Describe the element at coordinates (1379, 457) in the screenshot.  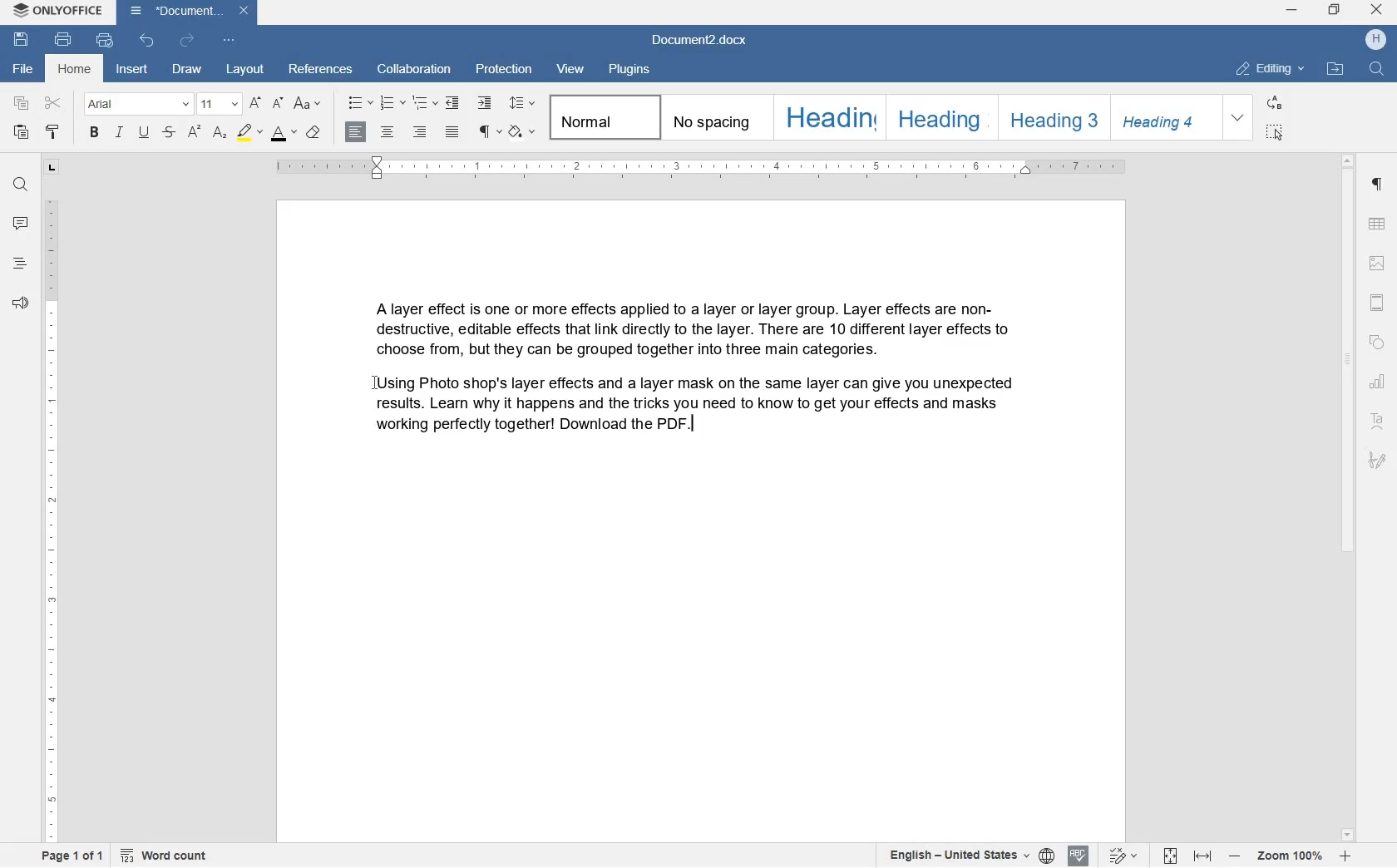
I see `SIGNATURE` at that location.